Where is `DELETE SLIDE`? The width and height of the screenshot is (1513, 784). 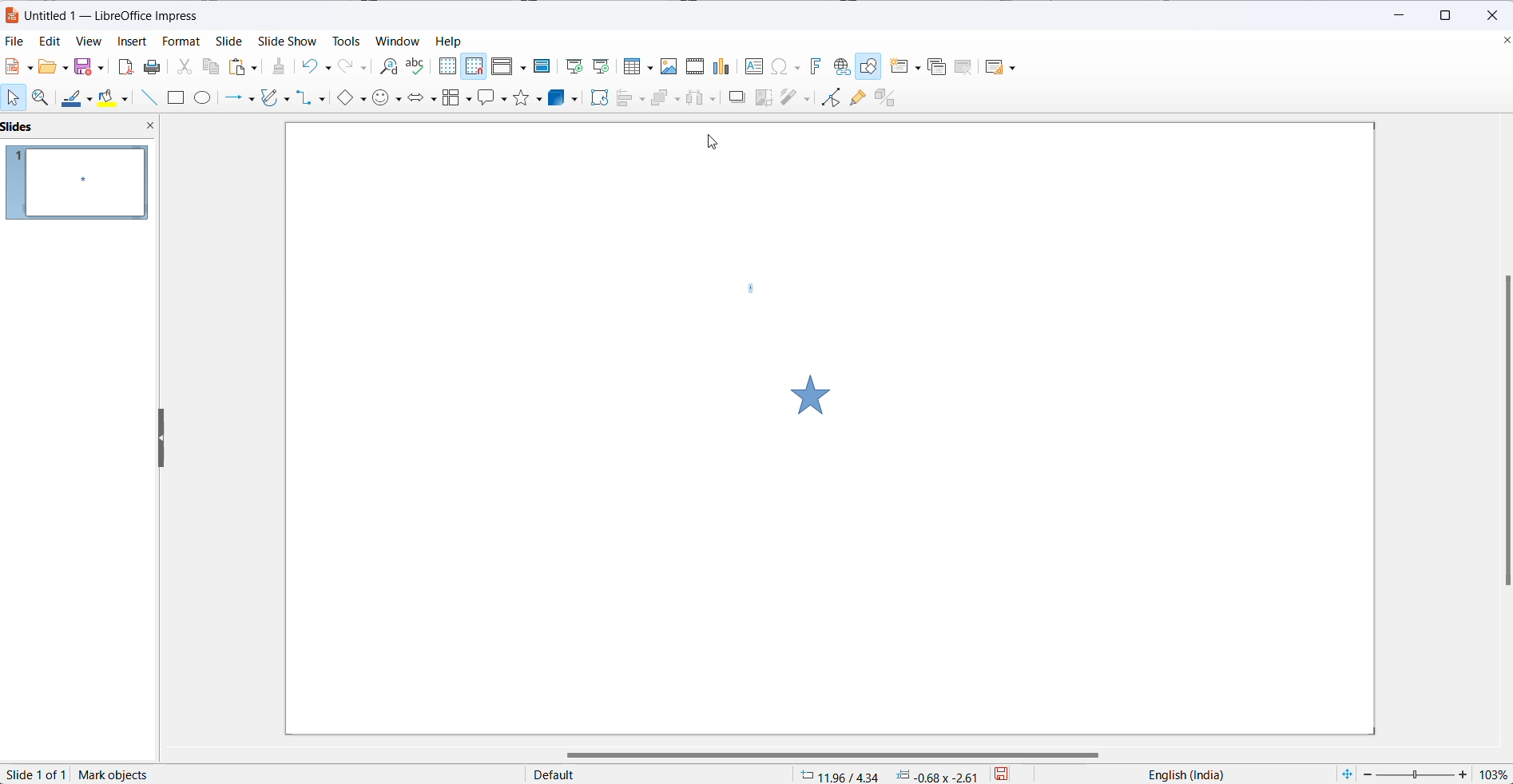
DELETE SLIDE is located at coordinates (964, 69).